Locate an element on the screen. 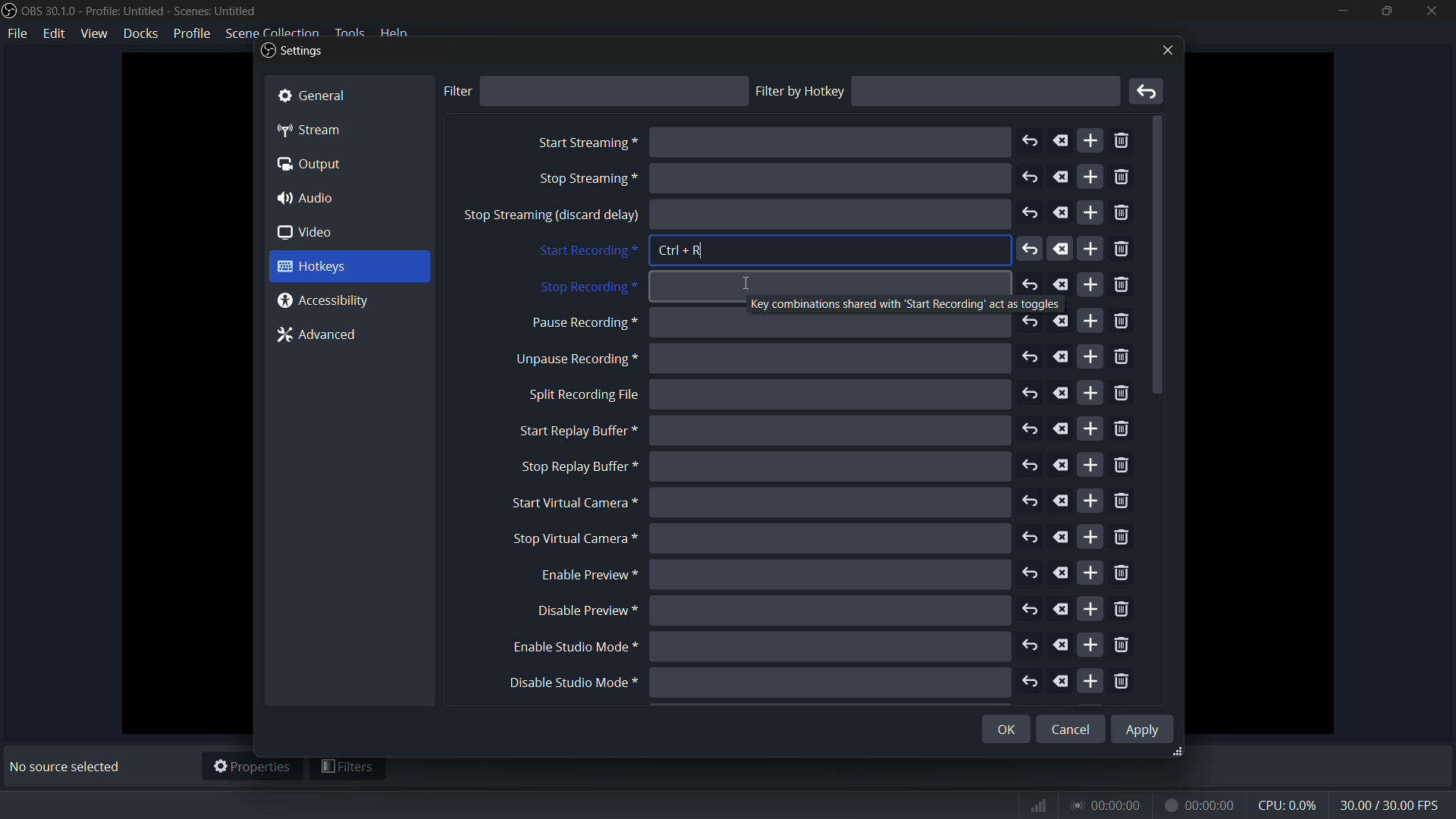 Image resolution: width=1456 pixels, height=819 pixels. filters is located at coordinates (348, 769).